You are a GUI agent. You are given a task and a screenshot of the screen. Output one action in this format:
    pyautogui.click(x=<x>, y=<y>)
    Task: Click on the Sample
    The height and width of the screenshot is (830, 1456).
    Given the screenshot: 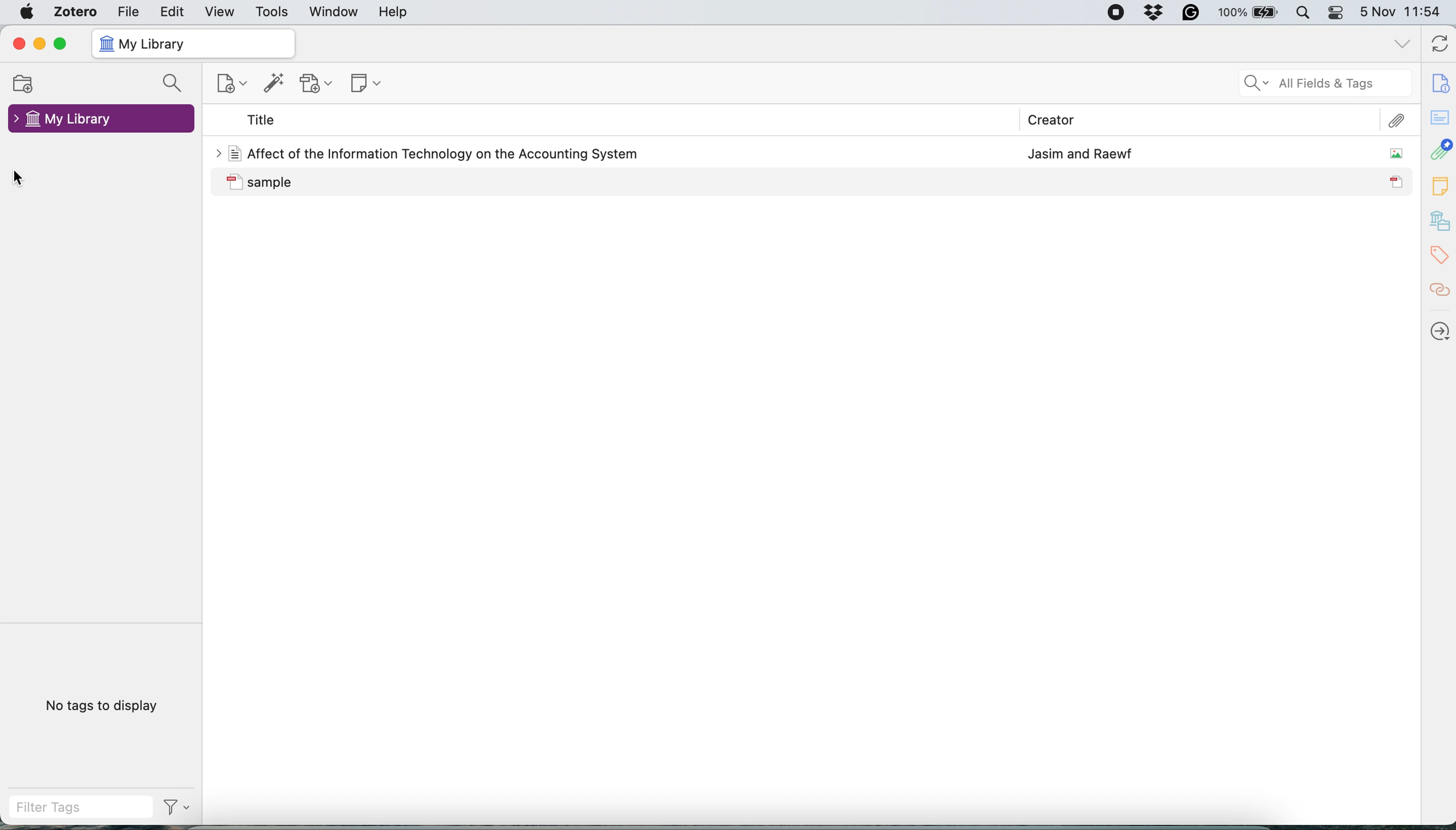 What is the action you would take?
    pyautogui.click(x=408, y=182)
    